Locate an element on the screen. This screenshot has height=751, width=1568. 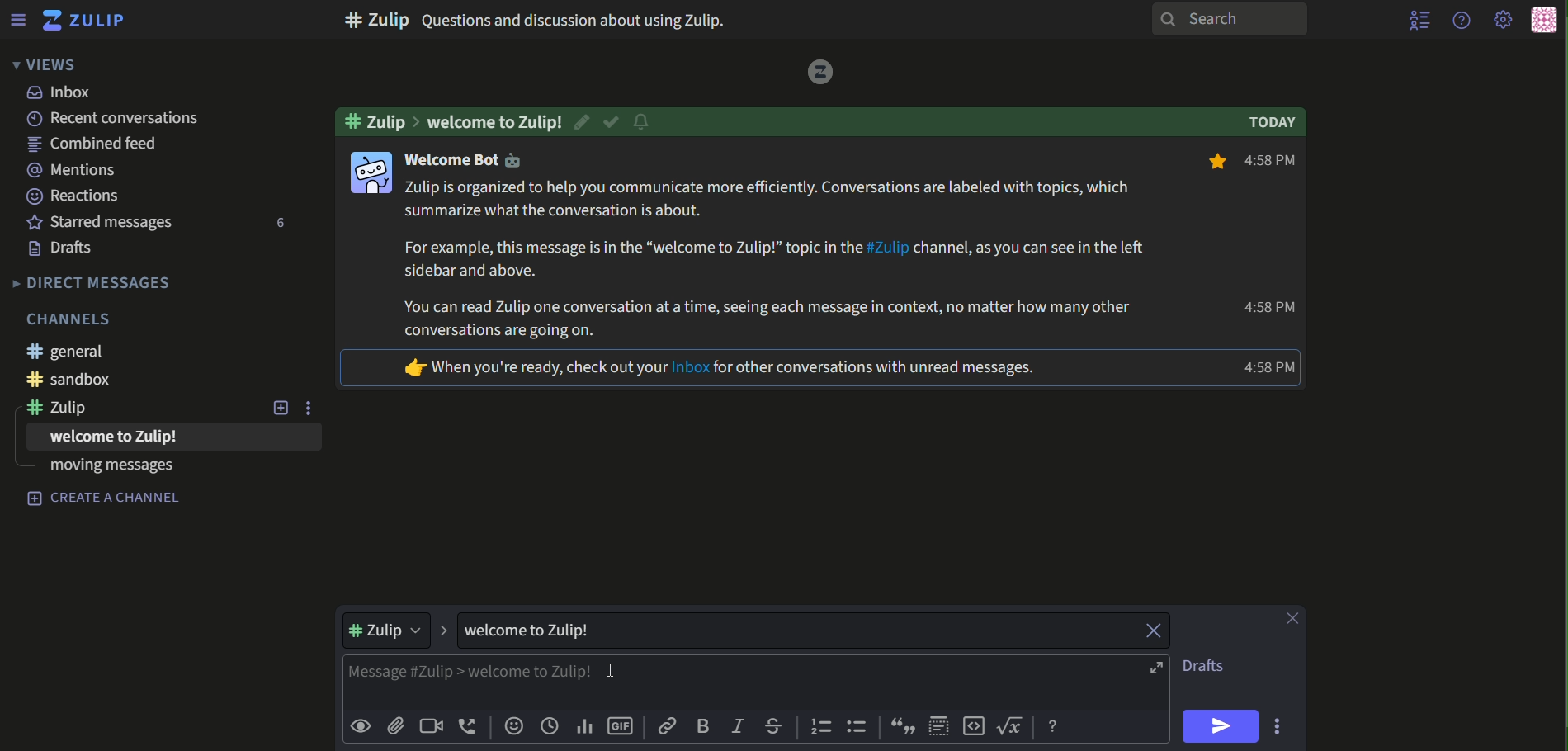
text is located at coordinates (378, 120).